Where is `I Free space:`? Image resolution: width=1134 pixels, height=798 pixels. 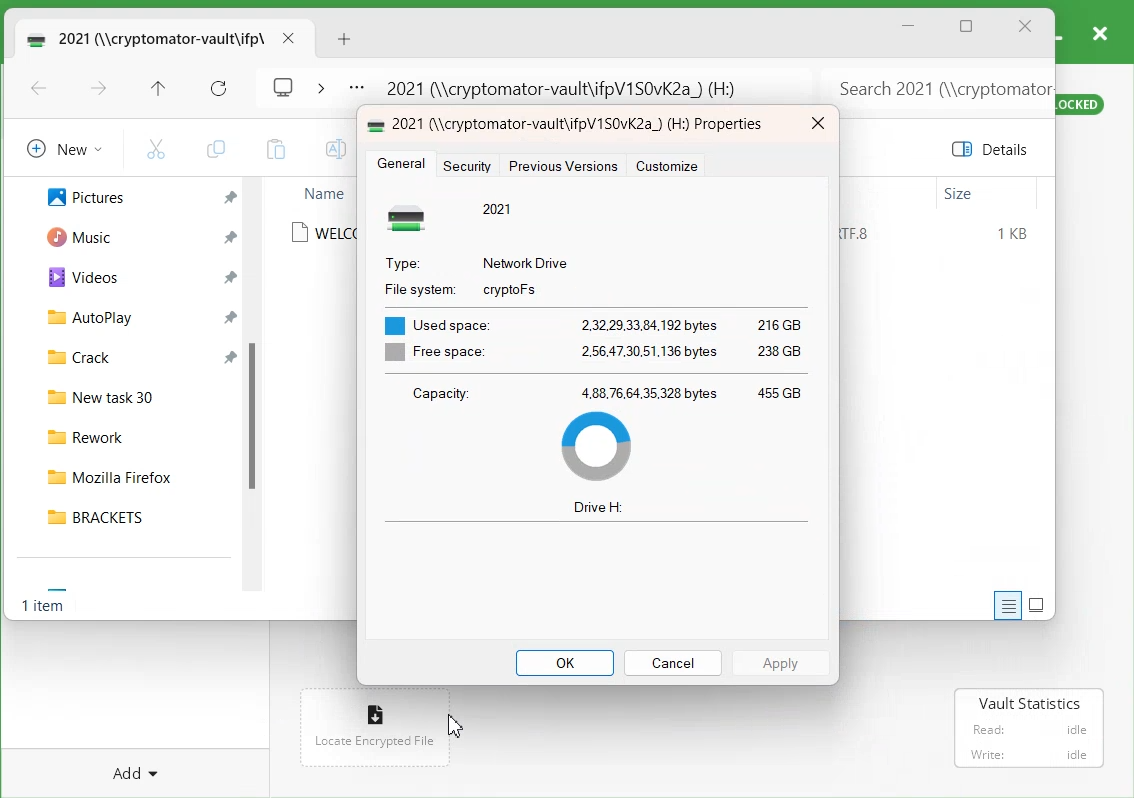 I Free space: is located at coordinates (431, 353).